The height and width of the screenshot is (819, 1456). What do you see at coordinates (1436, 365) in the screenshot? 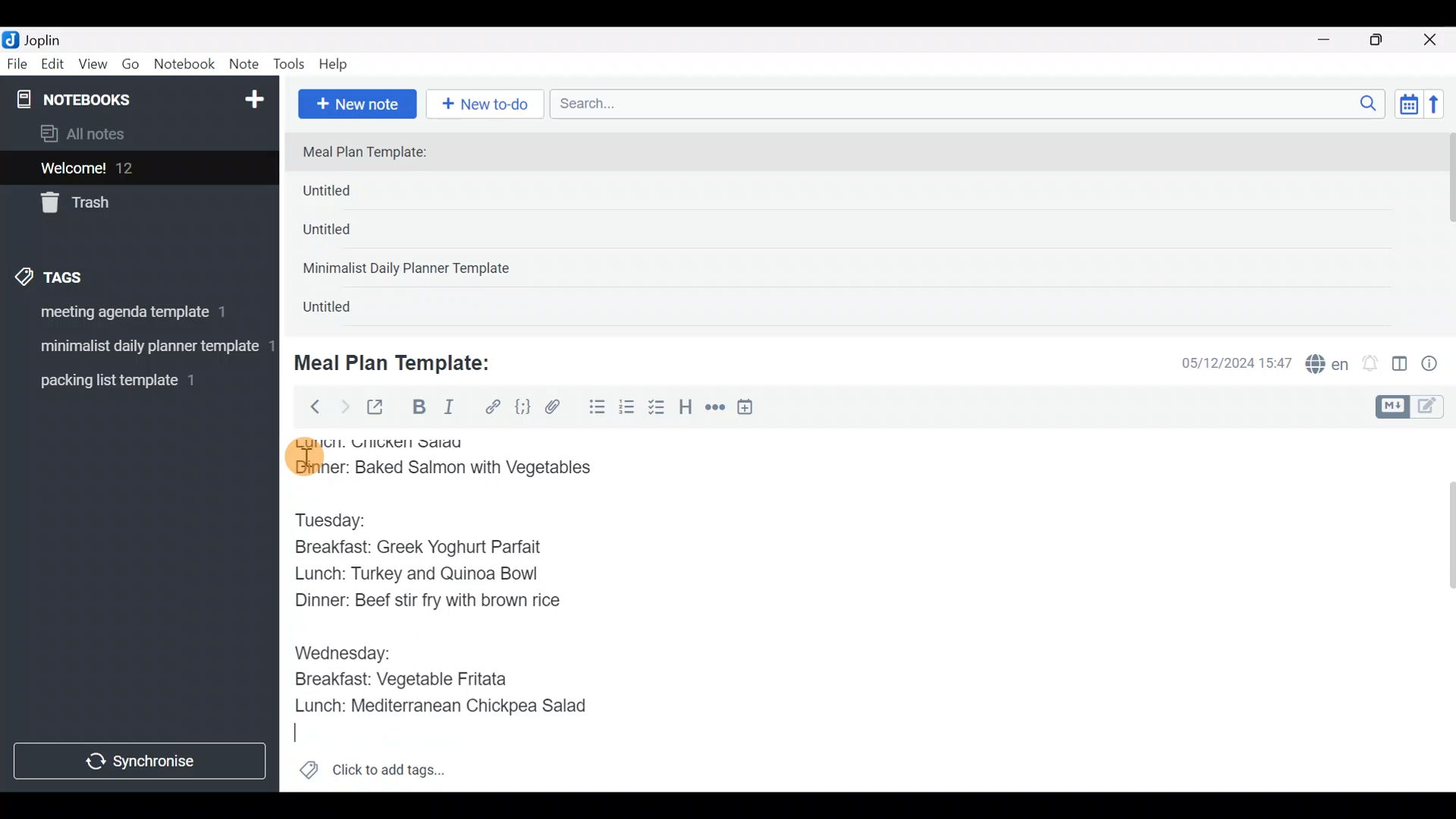
I see `Note properties` at bounding box center [1436, 365].